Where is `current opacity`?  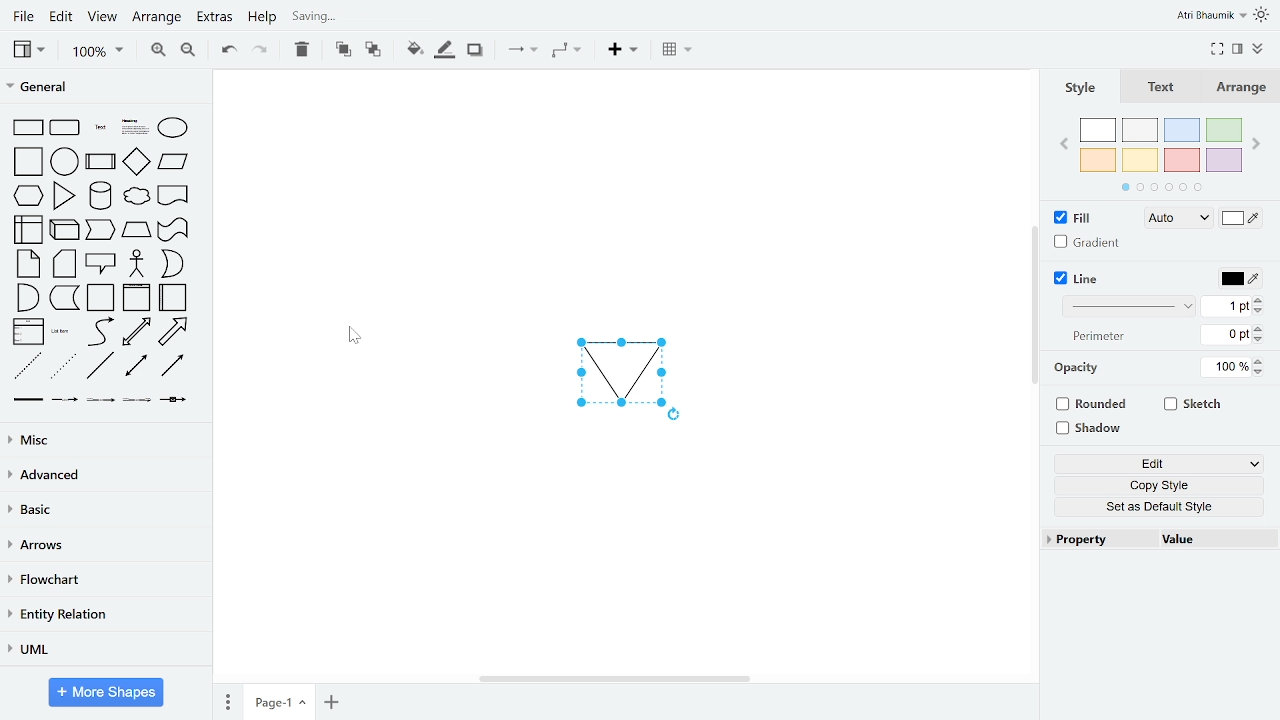
current opacity is located at coordinates (1223, 368).